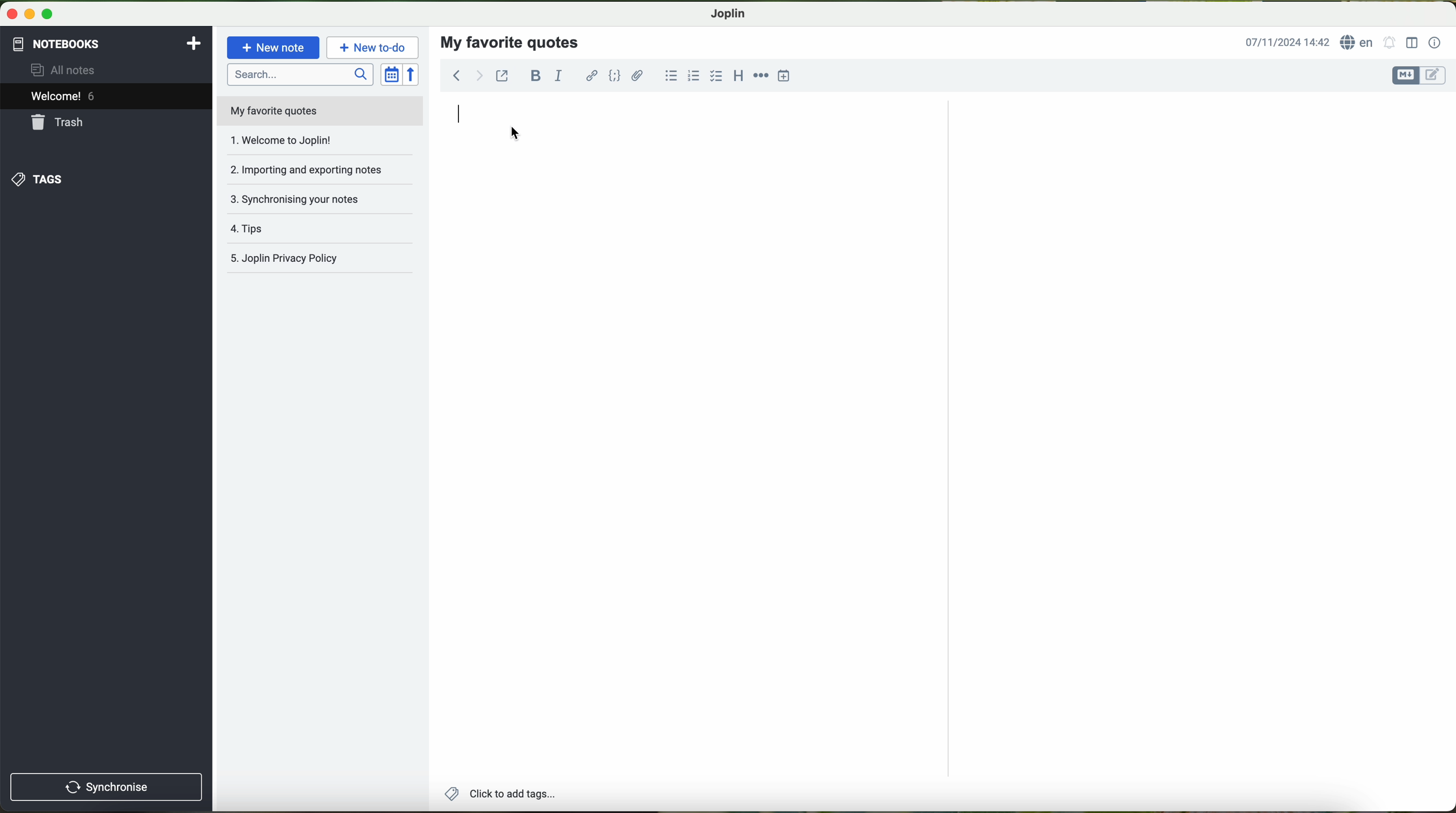 The height and width of the screenshot is (813, 1456). What do you see at coordinates (412, 75) in the screenshot?
I see `reverse sort order` at bounding box center [412, 75].